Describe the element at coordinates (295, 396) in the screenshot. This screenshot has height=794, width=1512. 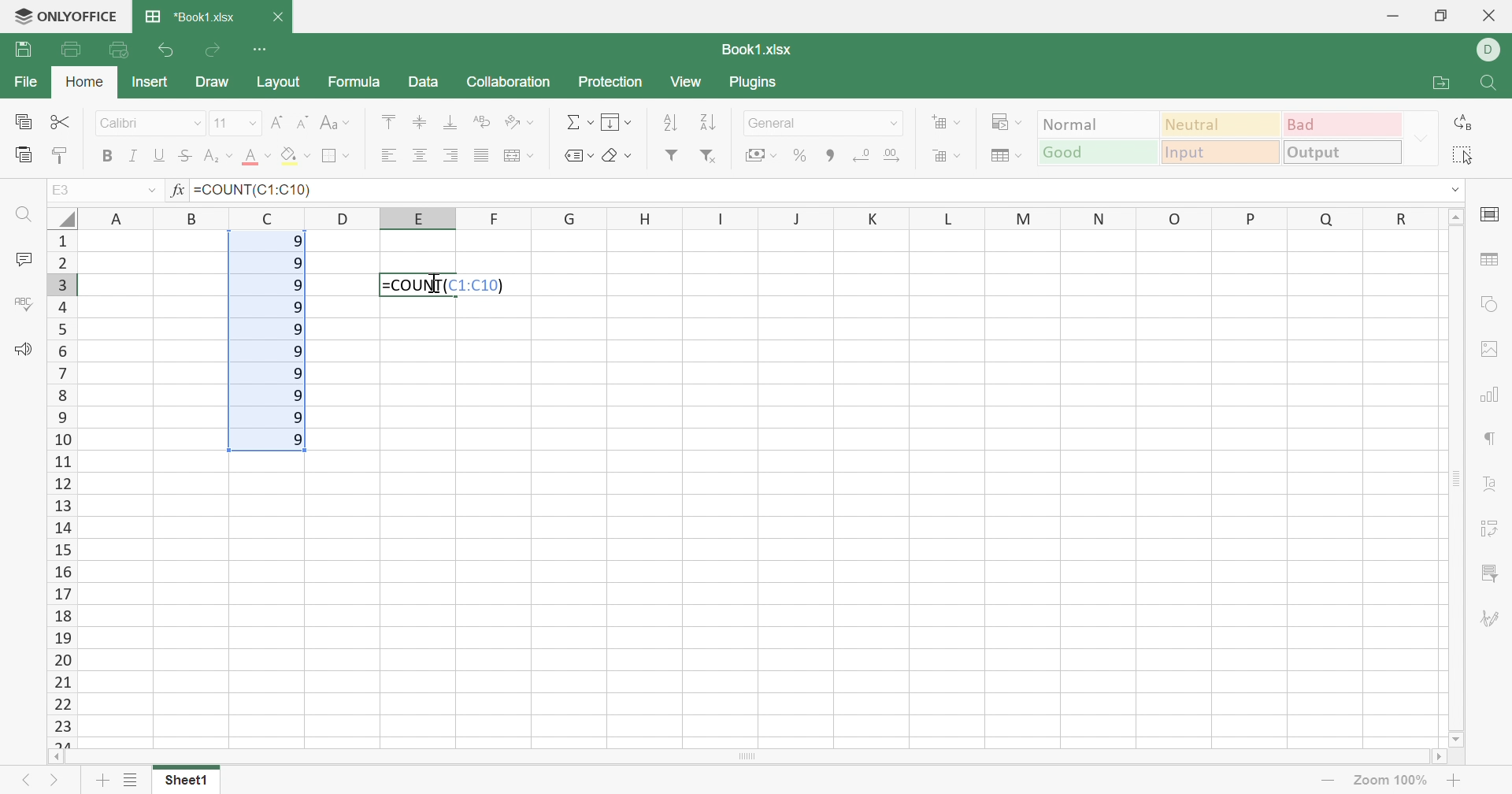
I see `9` at that location.